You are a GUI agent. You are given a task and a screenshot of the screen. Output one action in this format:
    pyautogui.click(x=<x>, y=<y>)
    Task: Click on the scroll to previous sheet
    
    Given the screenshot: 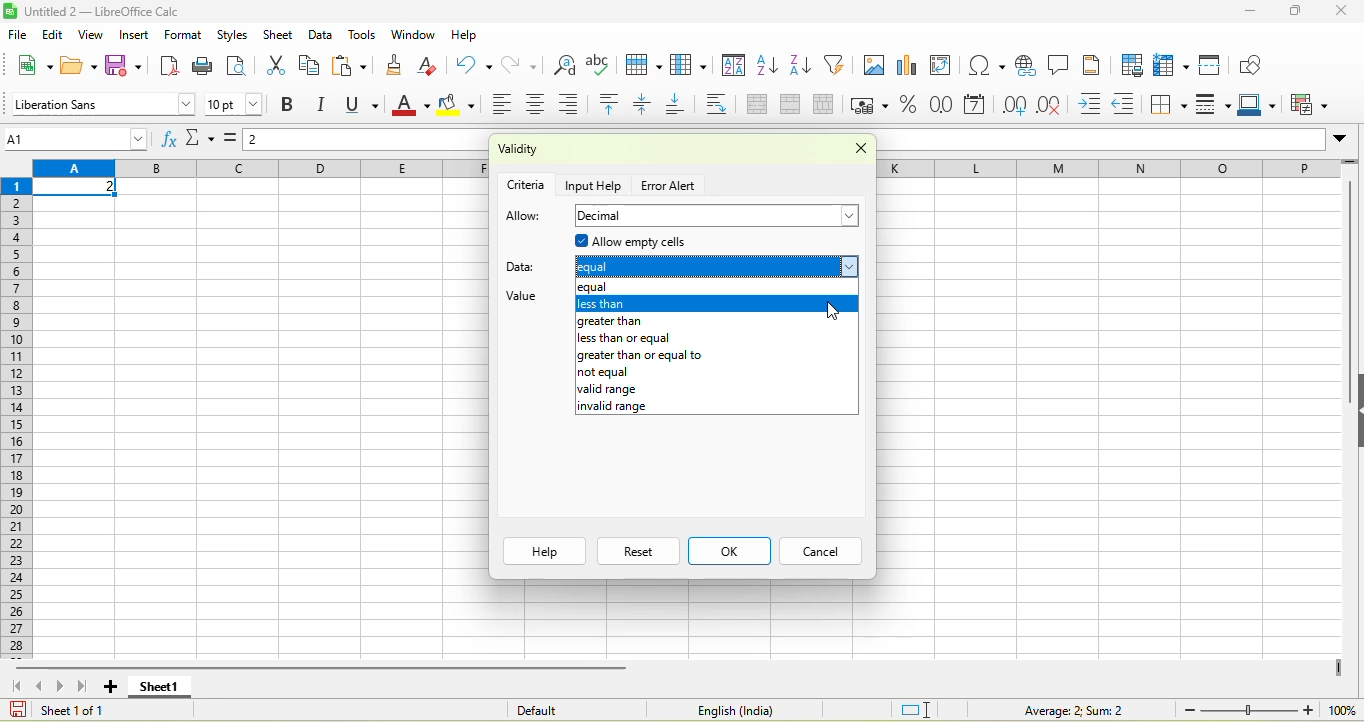 What is the action you would take?
    pyautogui.click(x=41, y=686)
    